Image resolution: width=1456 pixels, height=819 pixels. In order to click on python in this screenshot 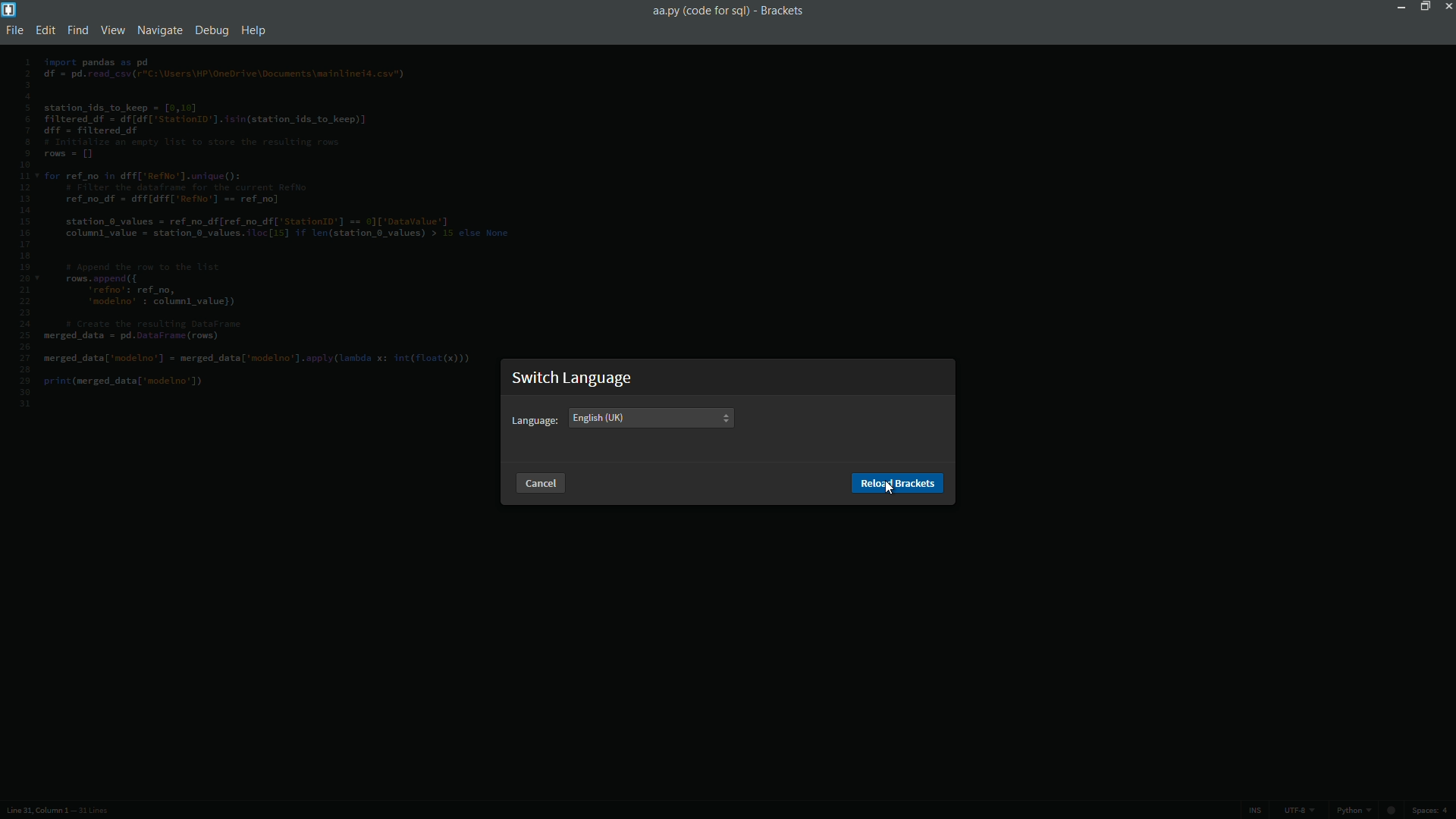, I will do `click(1369, 812)`.